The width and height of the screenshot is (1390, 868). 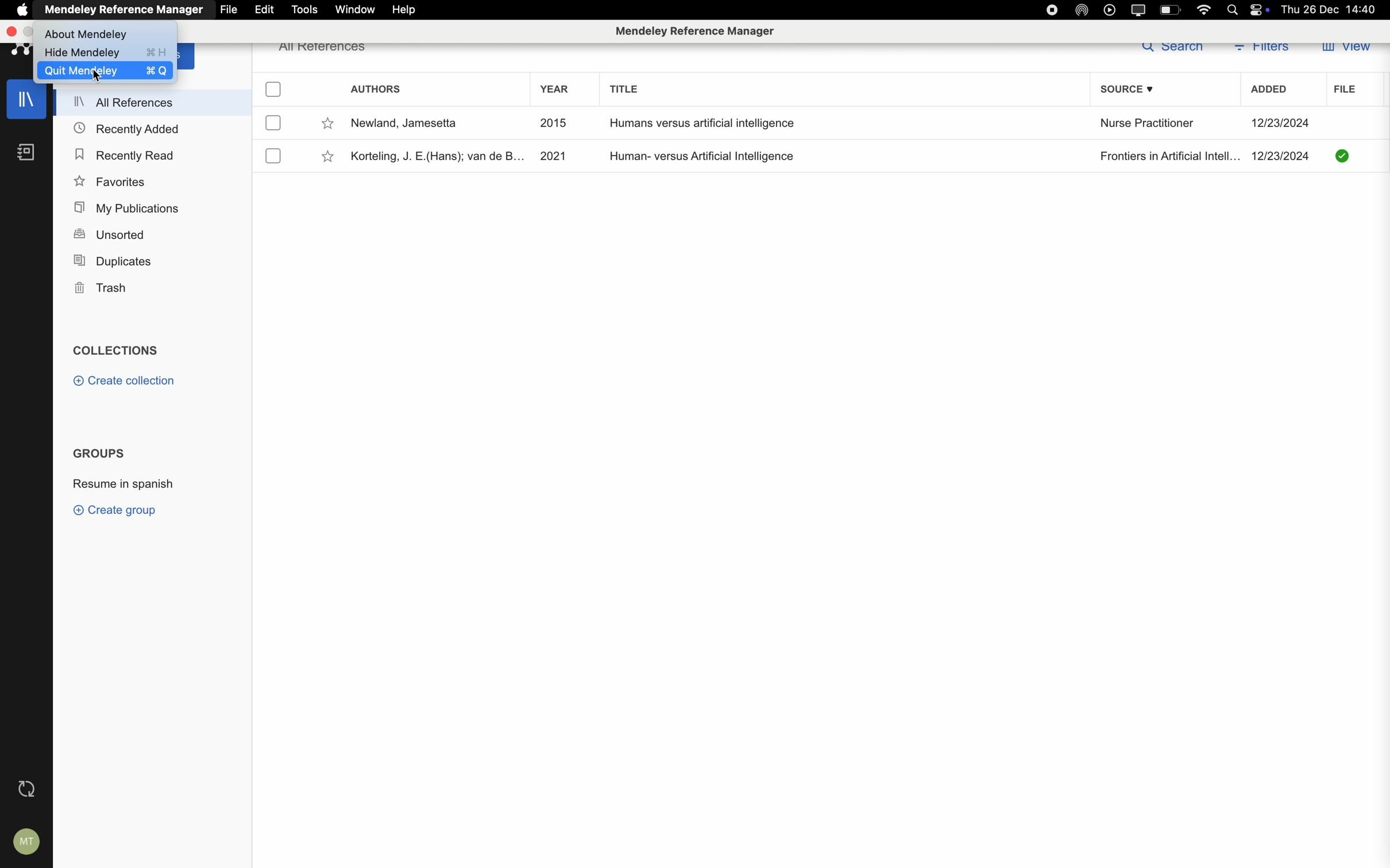 I want to click on last sync, so click(x=26, y=790).